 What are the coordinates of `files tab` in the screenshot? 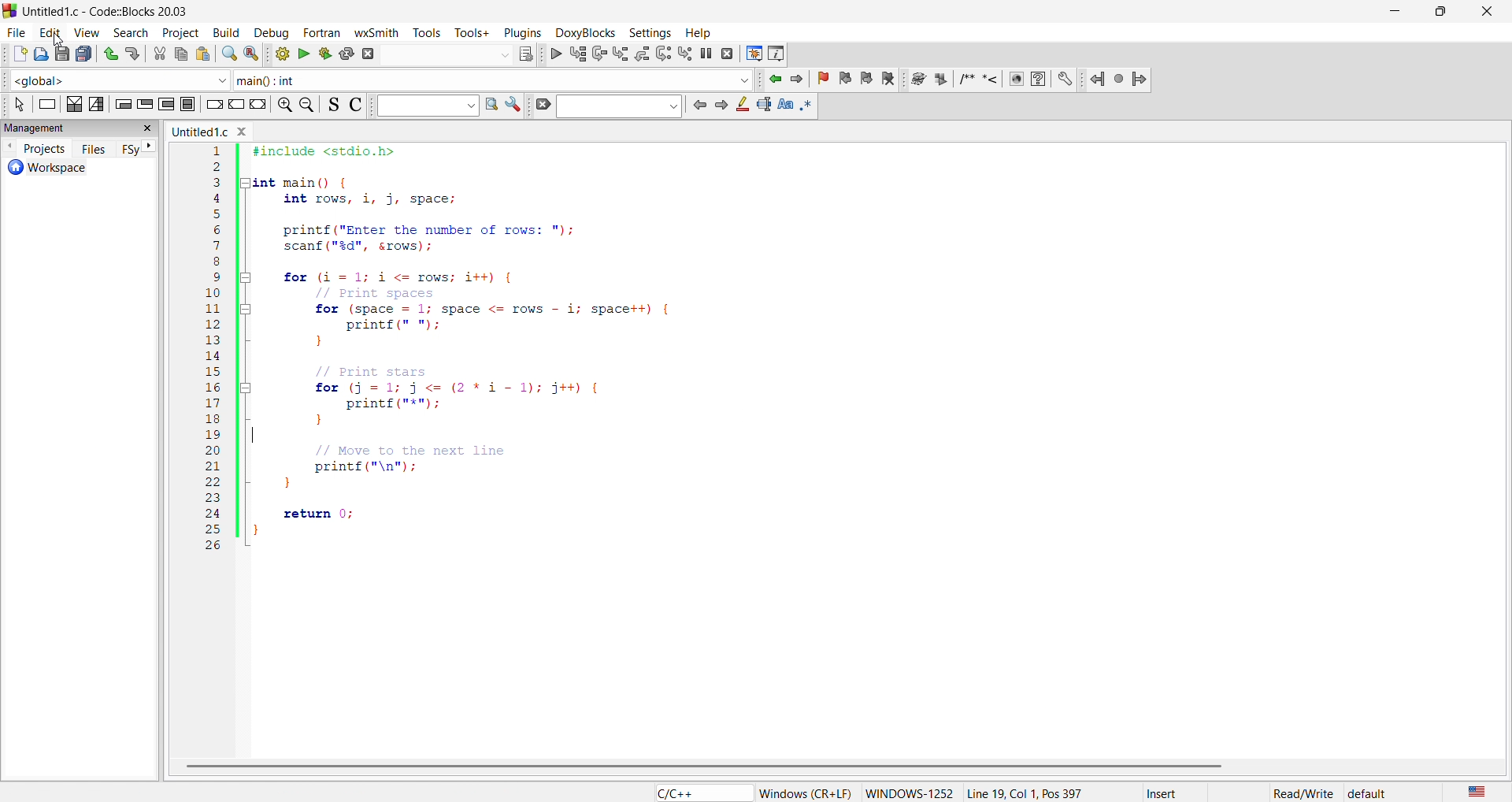 It's located at (94, 148).